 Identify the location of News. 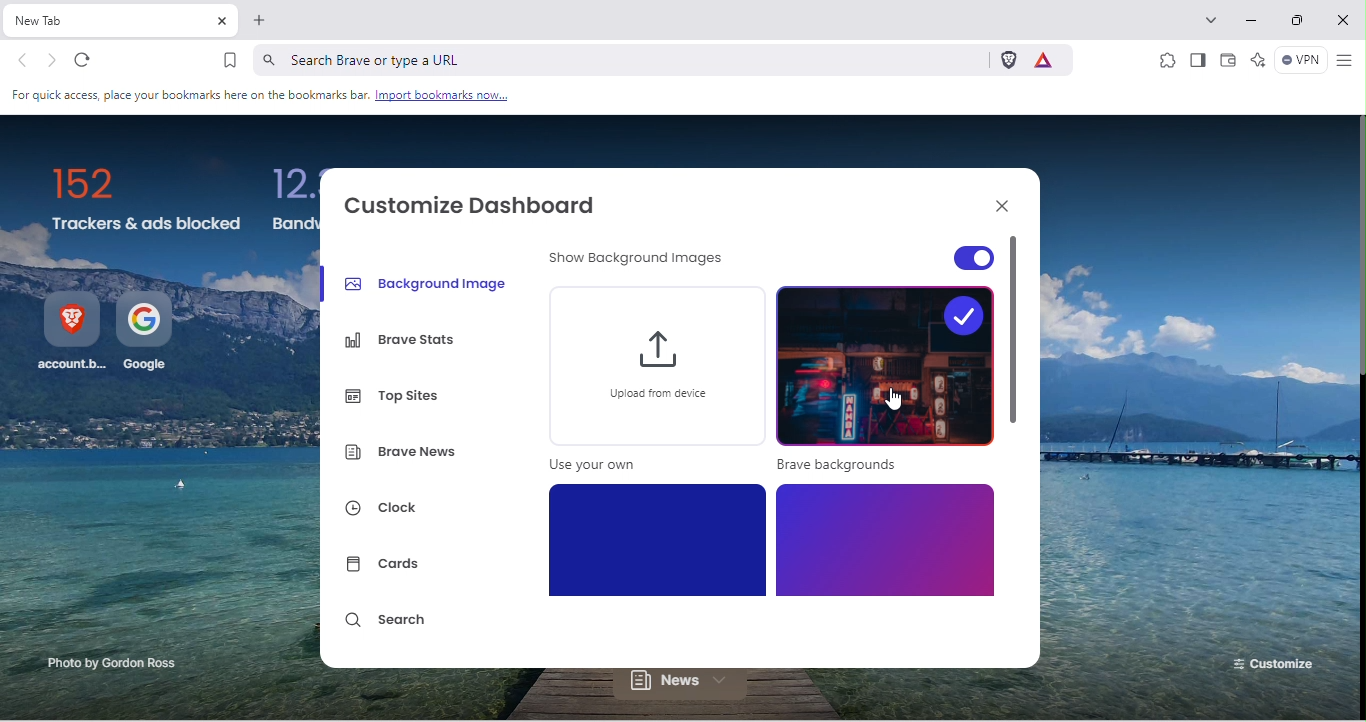
(689, 687).